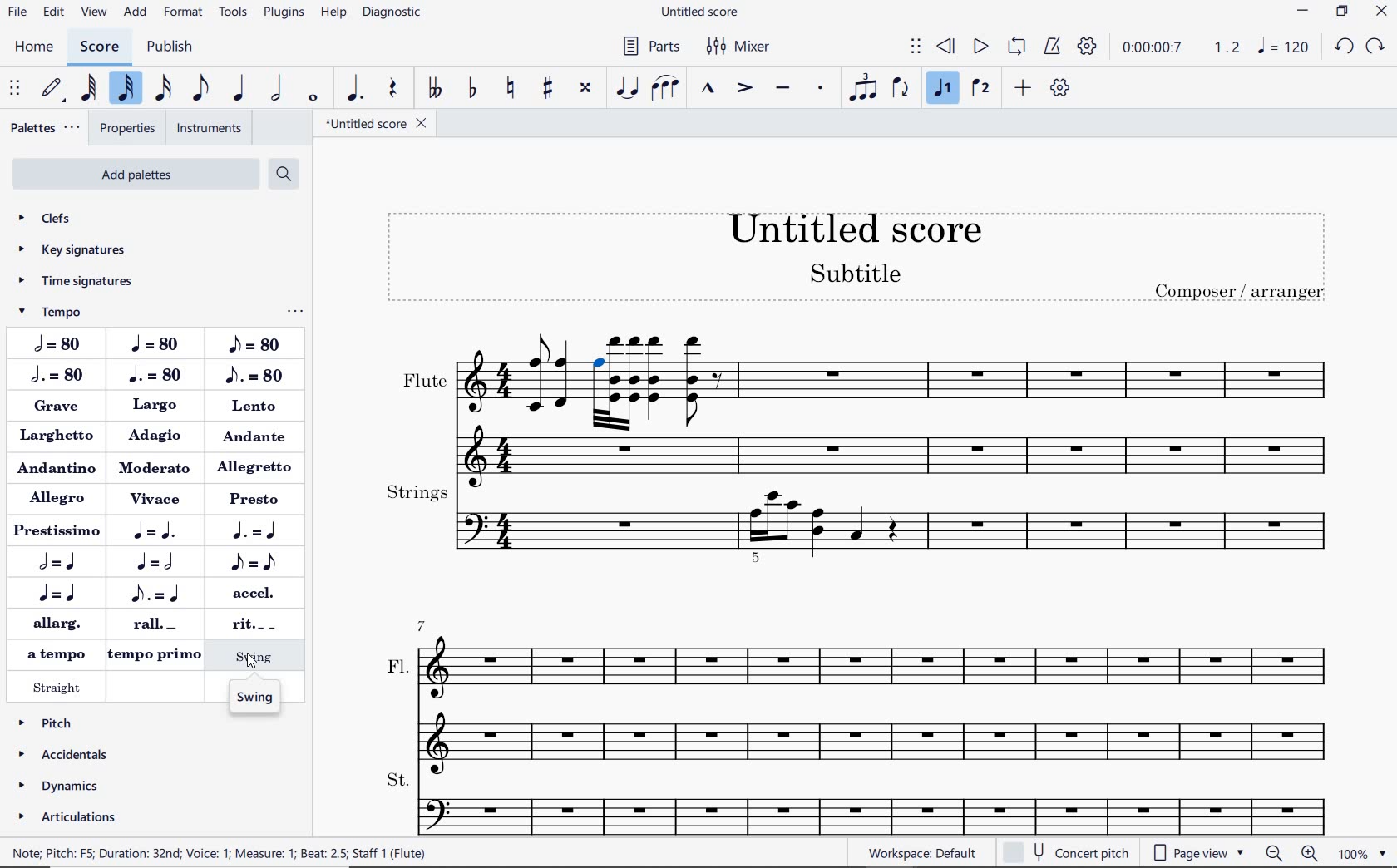  What do you see at coordinates (707, 91) in the screenshot?
I see `MARCATO` at bounding box center [707, 91].